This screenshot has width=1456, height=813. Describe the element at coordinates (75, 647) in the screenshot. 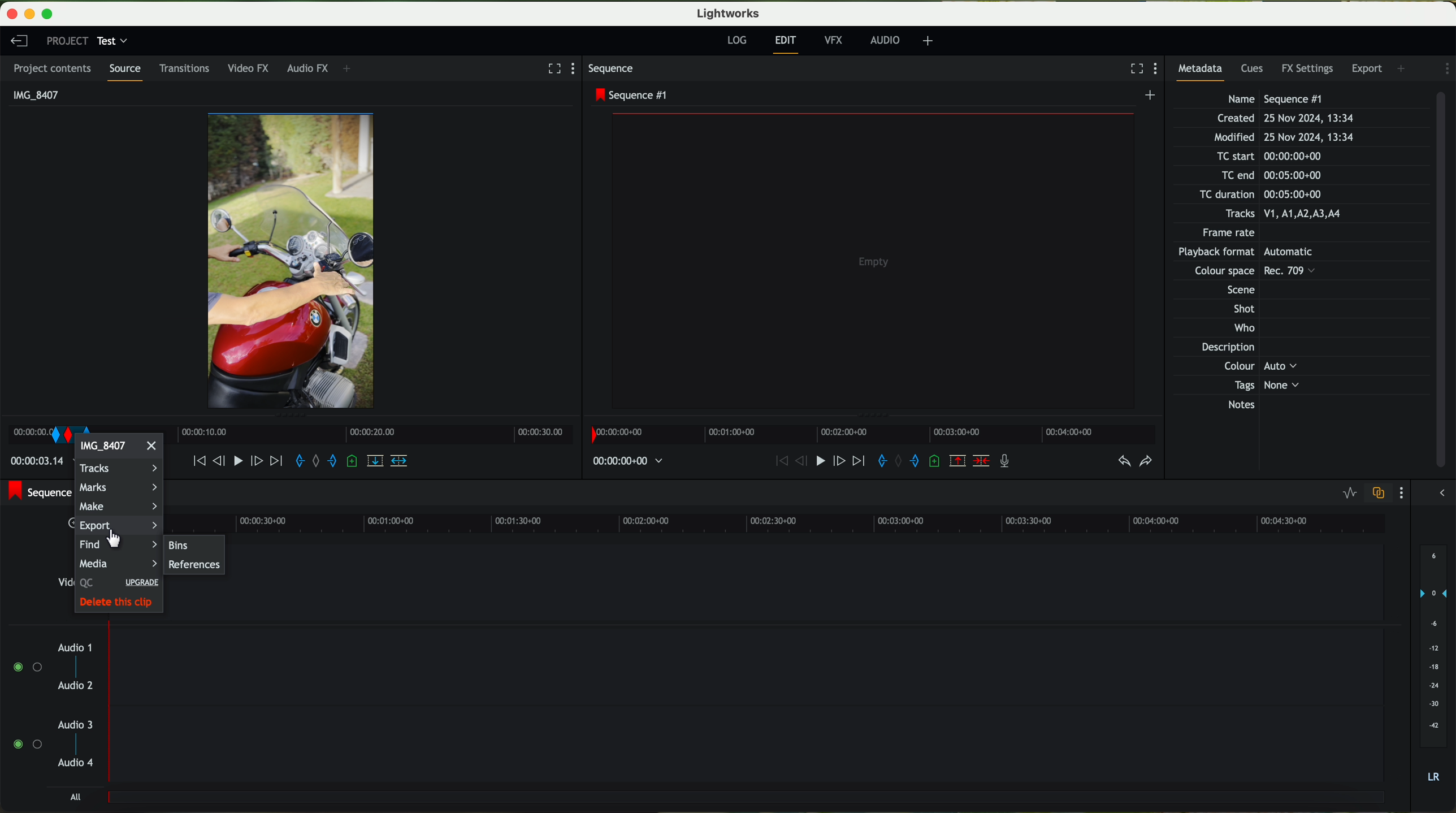

I see `audio 1` at that location.